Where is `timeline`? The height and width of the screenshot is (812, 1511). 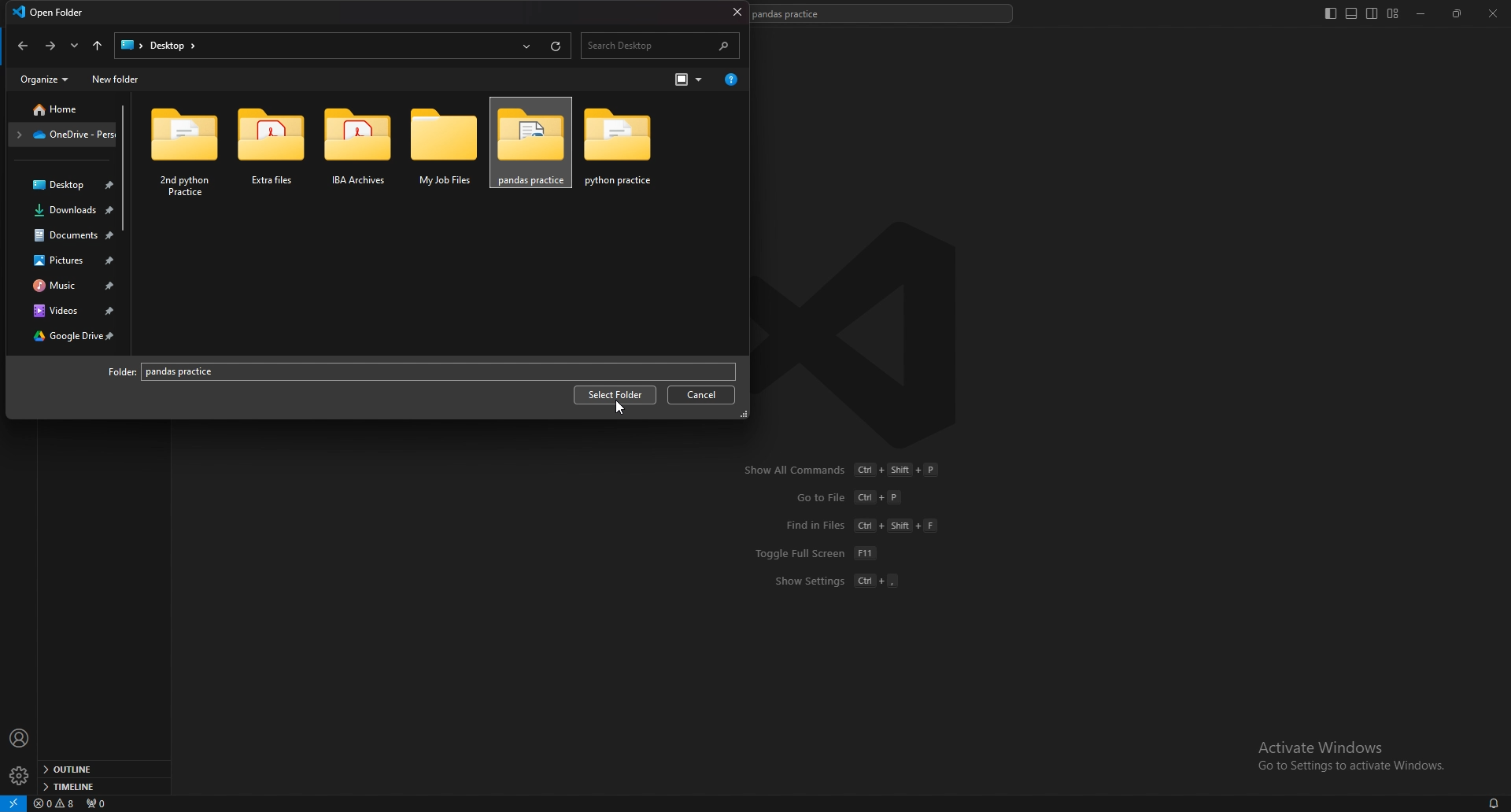
timeline is located at coordinates (102, 785).